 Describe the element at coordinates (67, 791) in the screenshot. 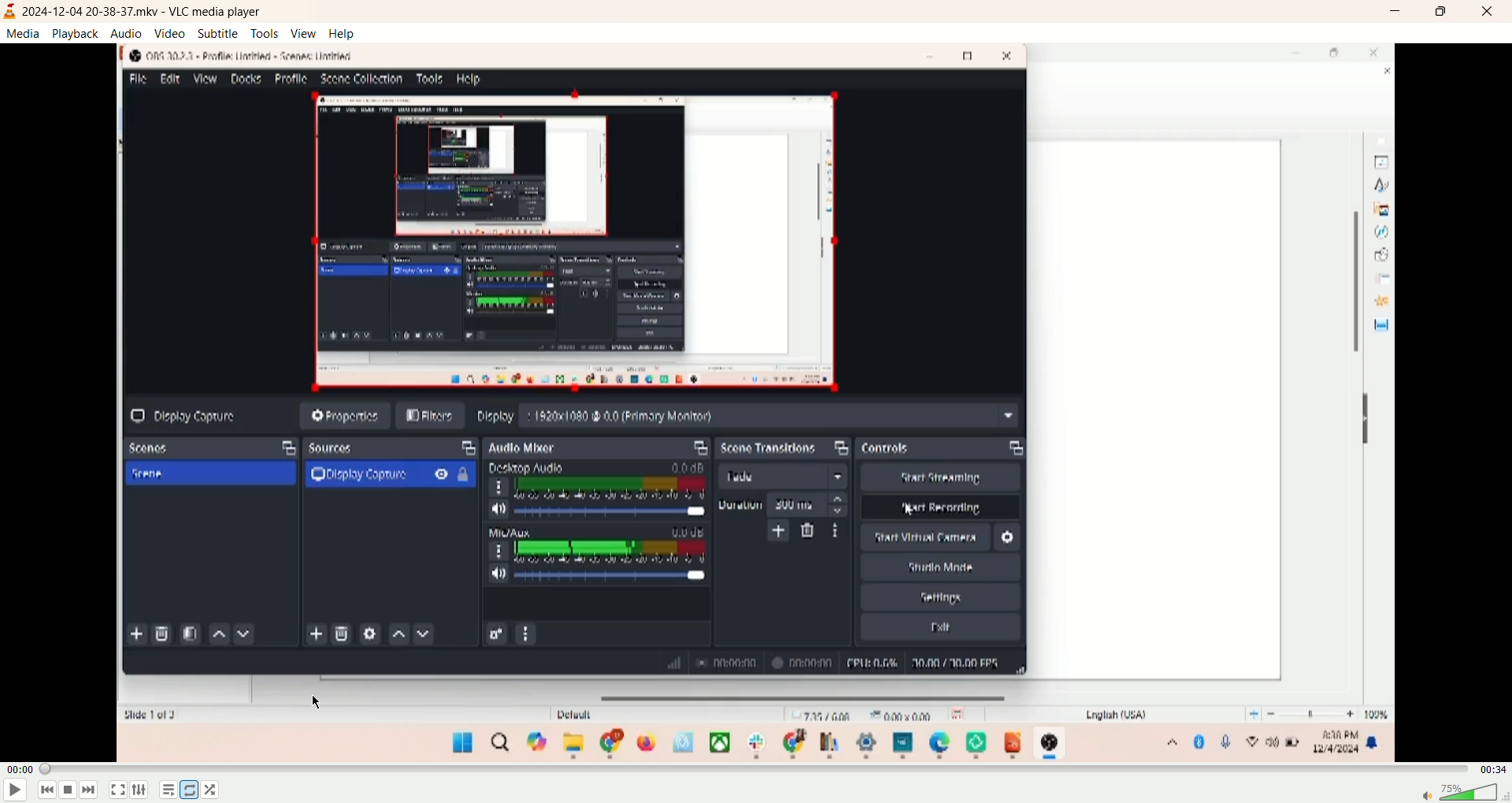

I see `stop` at that location.